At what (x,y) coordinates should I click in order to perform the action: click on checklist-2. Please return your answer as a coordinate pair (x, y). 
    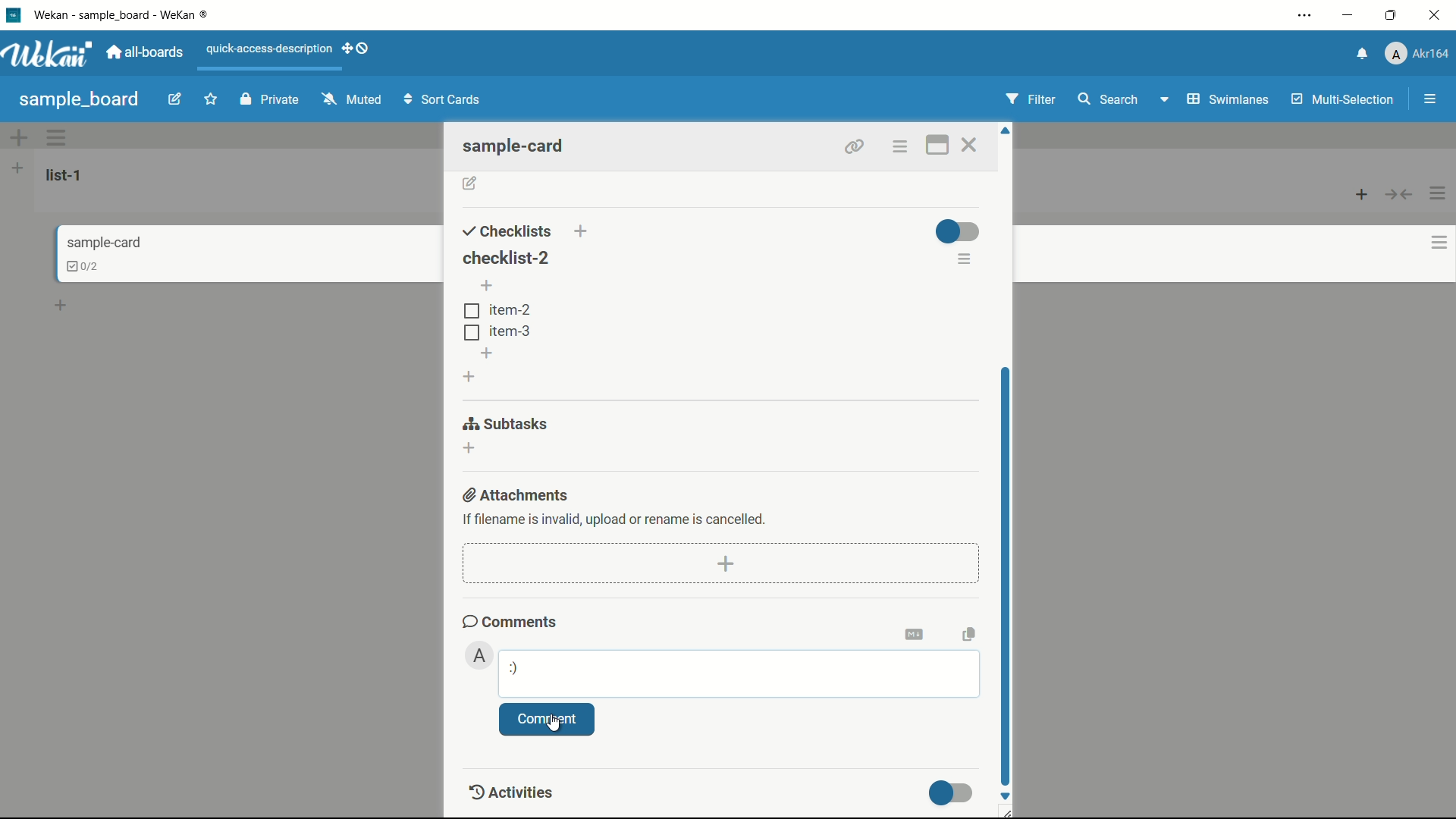
    Looking at the image, I should click on (504, 256).